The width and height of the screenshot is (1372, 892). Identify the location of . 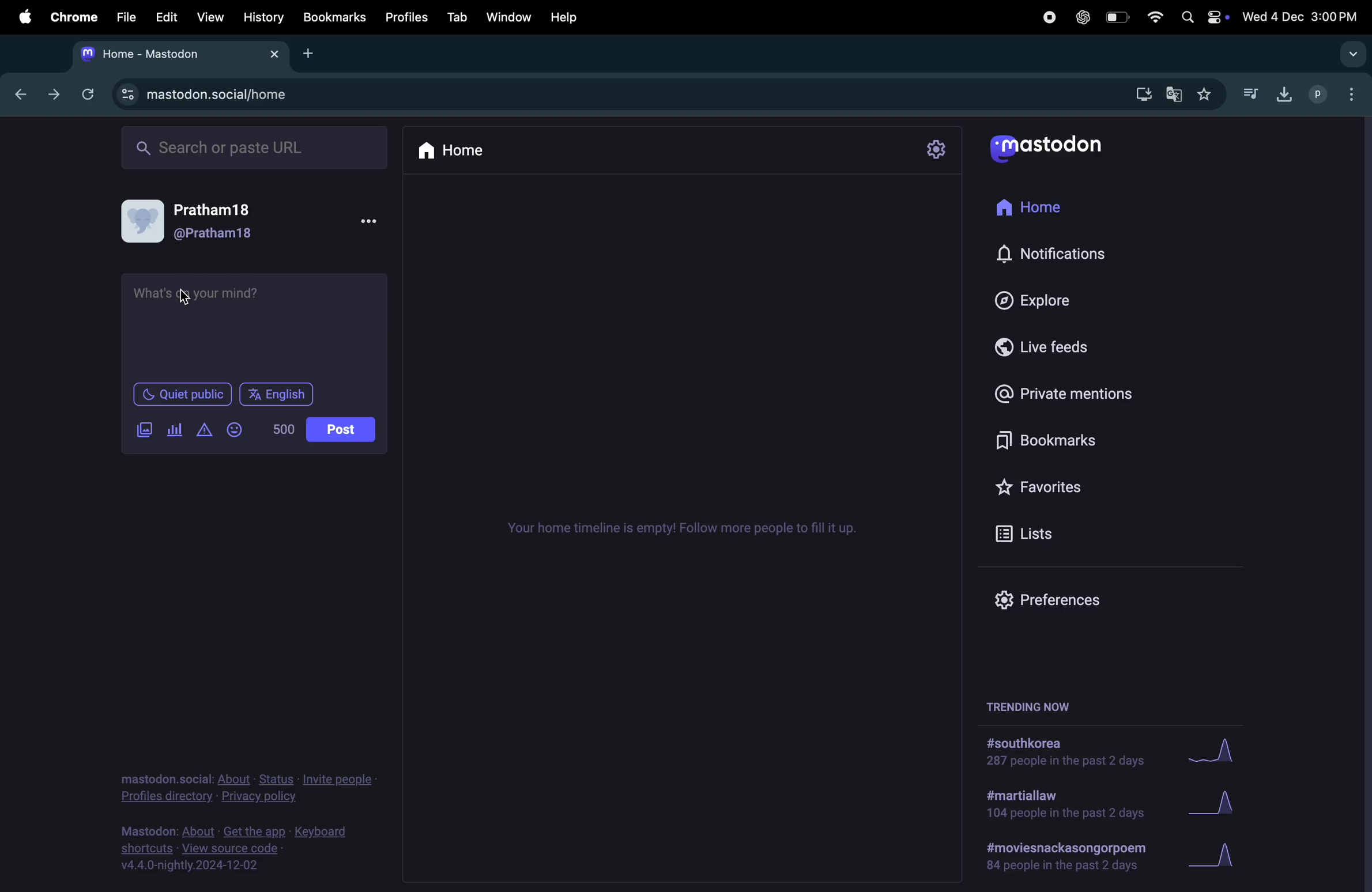
(1081, 17).